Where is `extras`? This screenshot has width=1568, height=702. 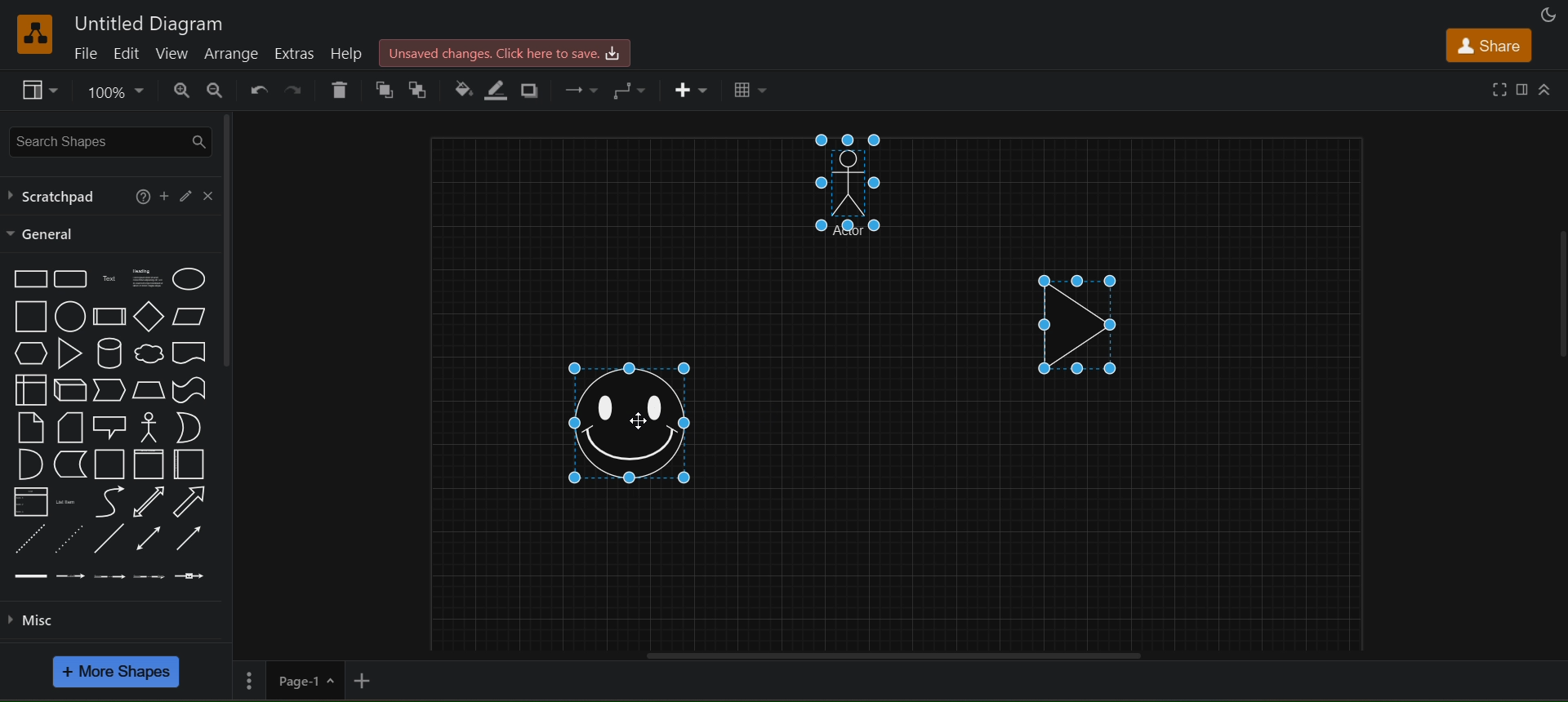 extras is located at coordinates (296, 54).